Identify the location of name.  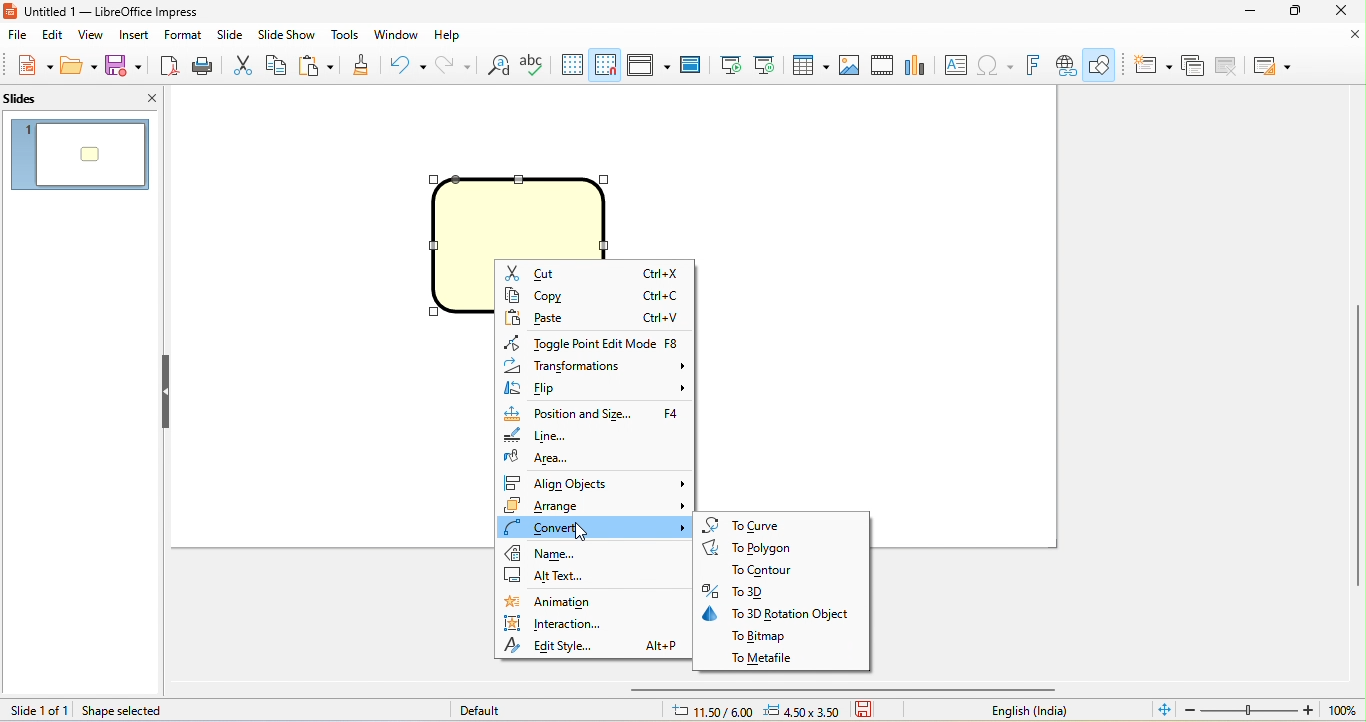
(559, 554).